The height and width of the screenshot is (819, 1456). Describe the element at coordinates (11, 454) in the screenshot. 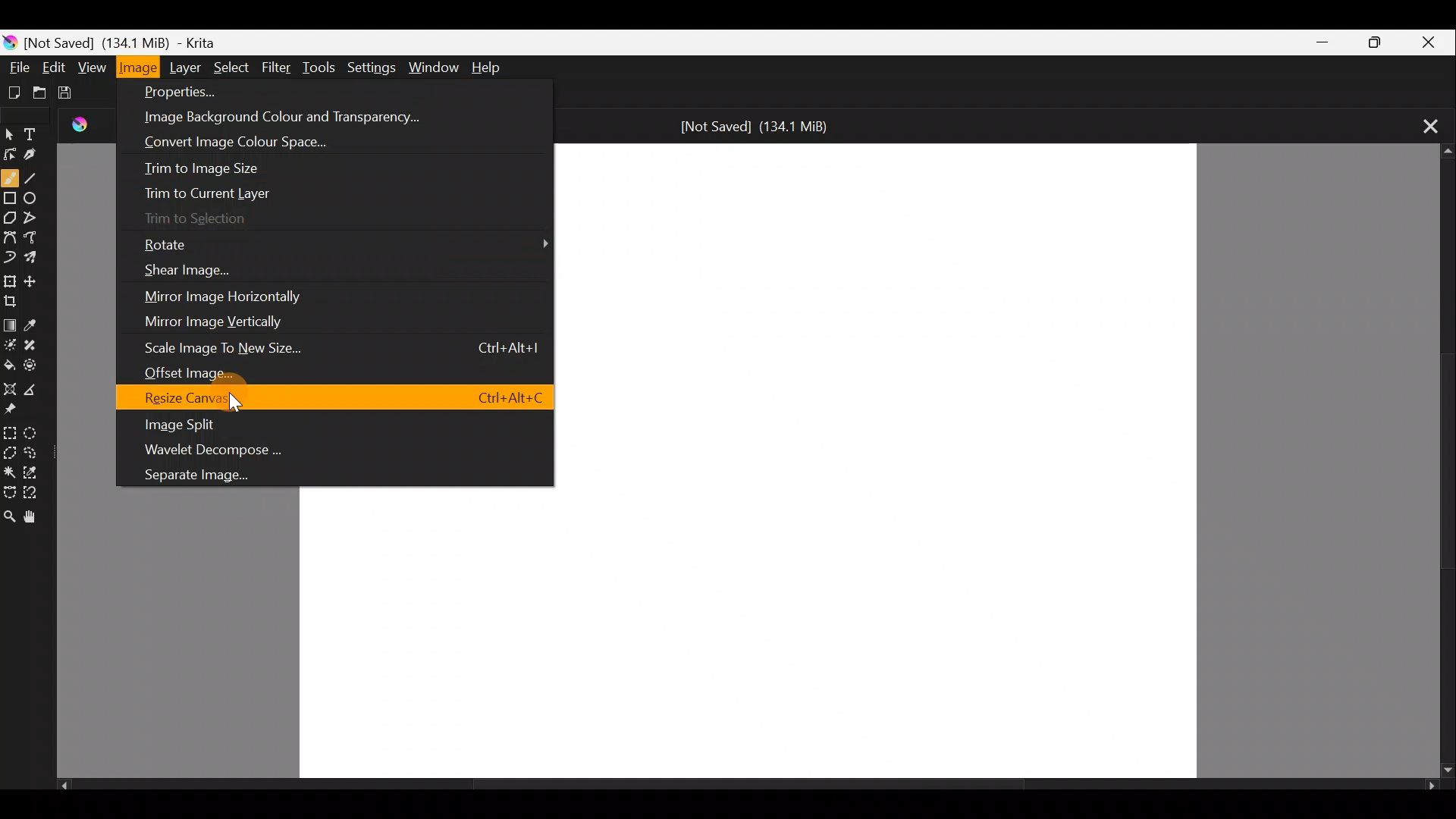

I see `Polygonal section tool` at that location.